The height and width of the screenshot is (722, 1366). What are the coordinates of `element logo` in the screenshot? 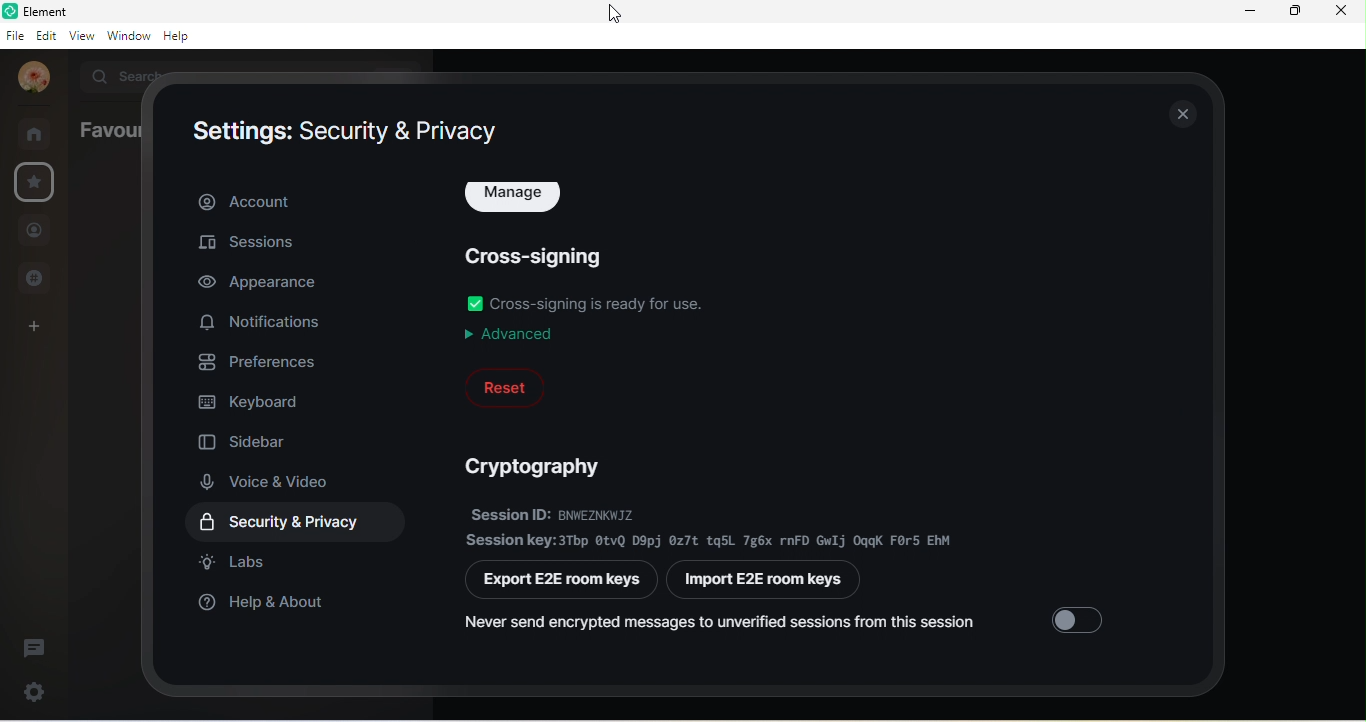 It's located at (9, 10).